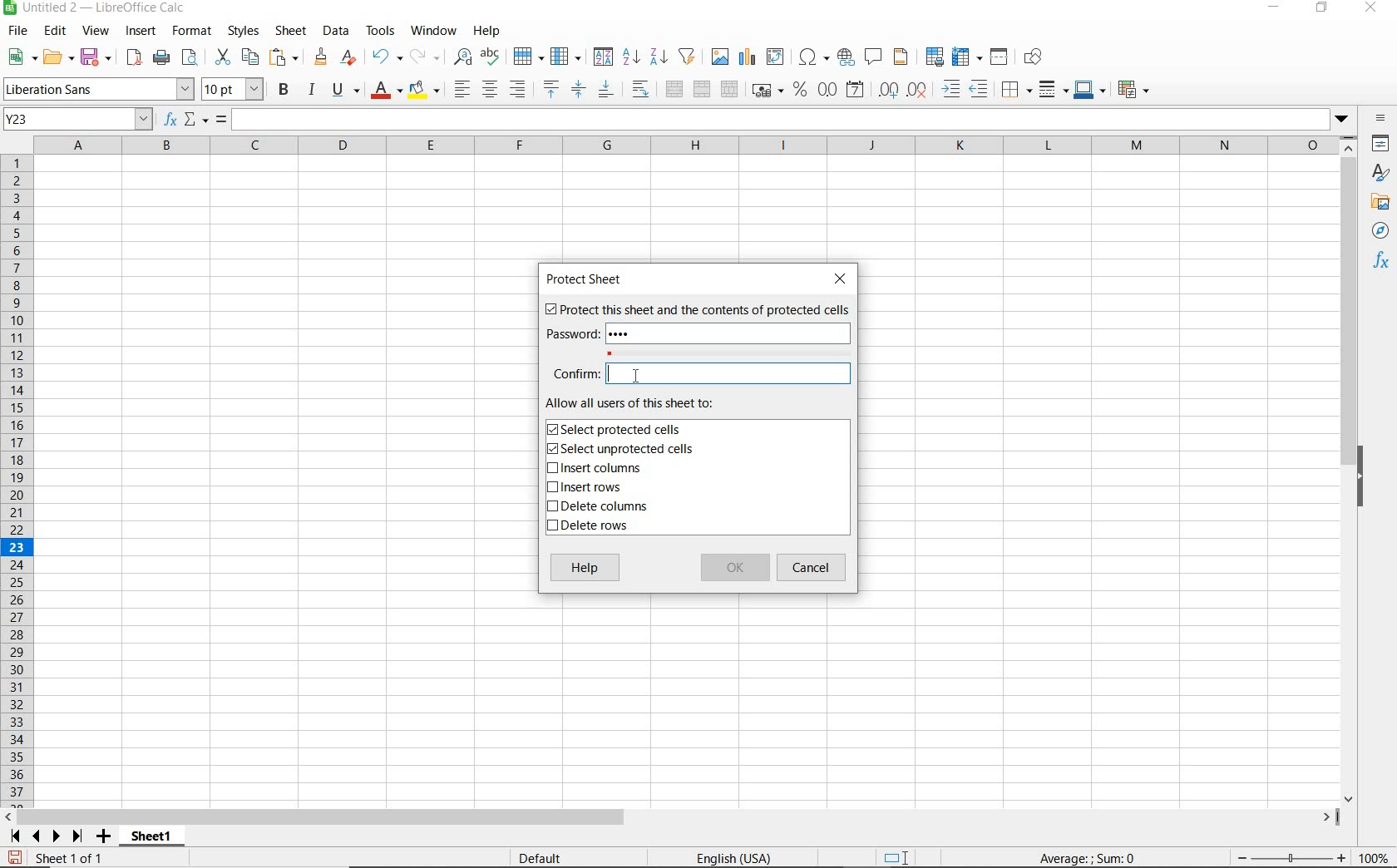  Describe the element at coordinates (579, 91) in the screenshot. I see `CENTER VERTICALLY` at that location.